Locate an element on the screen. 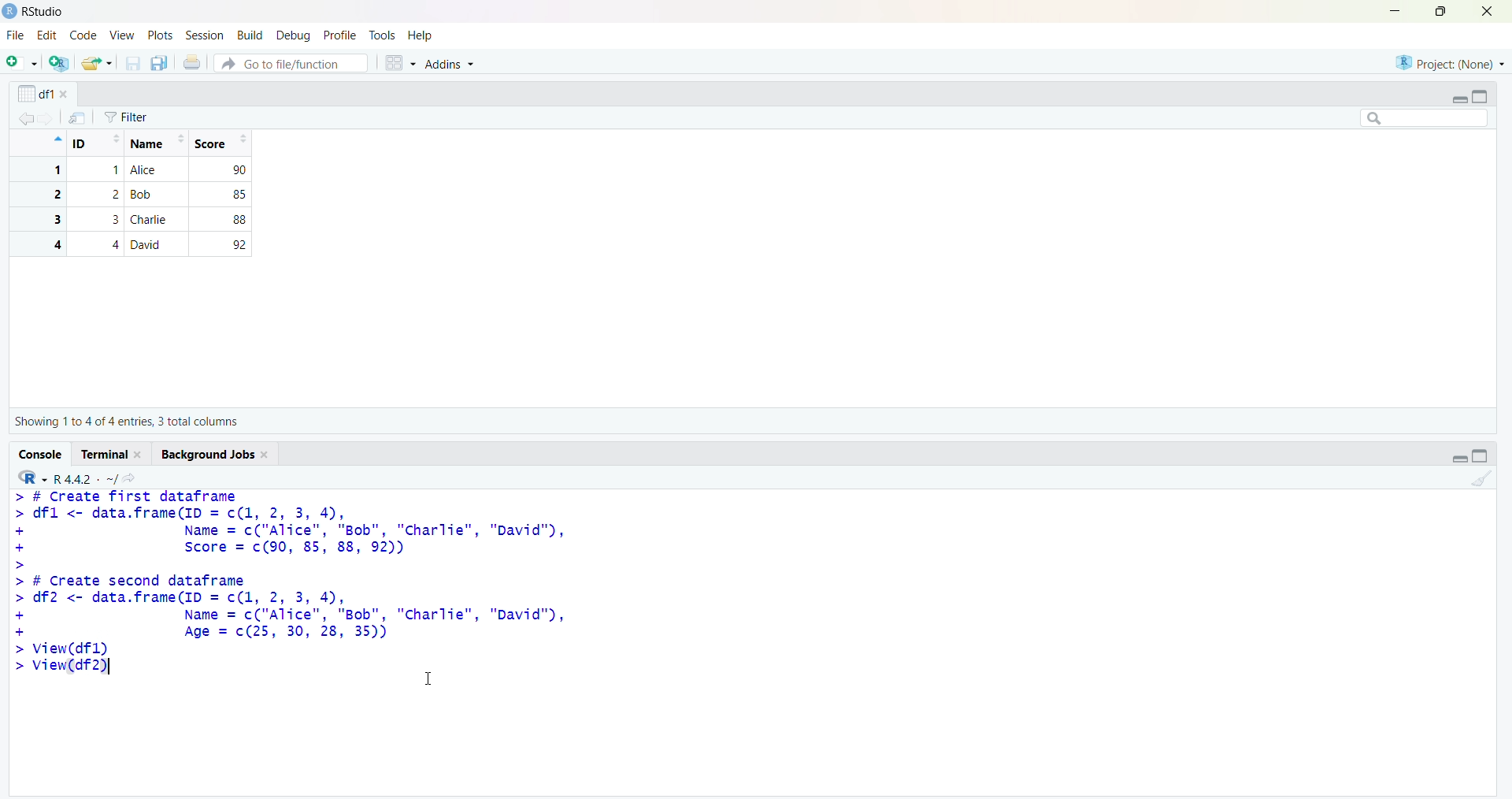 The width and height of the screenshot is (1512, 799). 3 3 Charlie 88 is located at coordinates (135, 219).